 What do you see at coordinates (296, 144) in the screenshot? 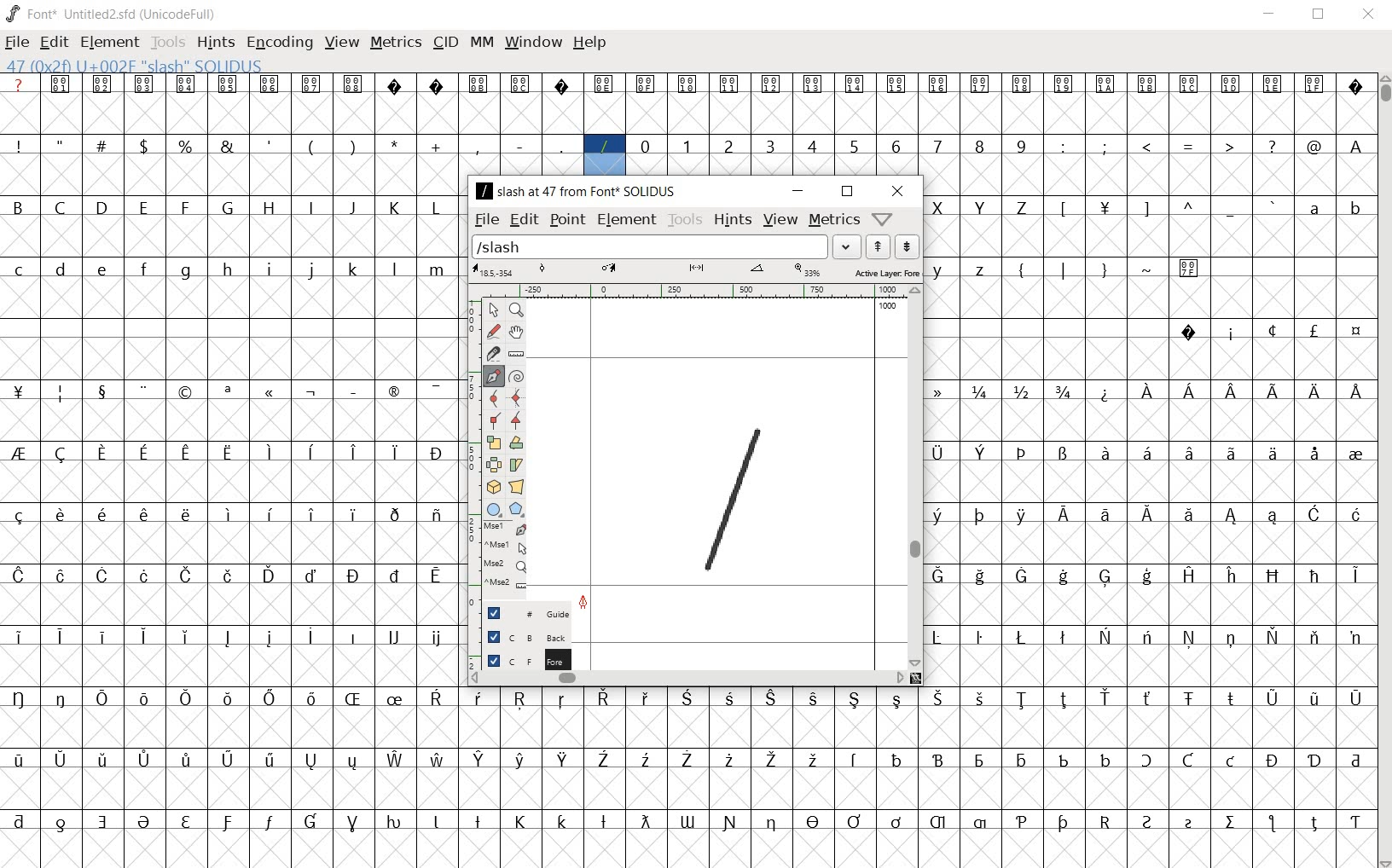
I see `symbols` at bounding box center [296, 144].